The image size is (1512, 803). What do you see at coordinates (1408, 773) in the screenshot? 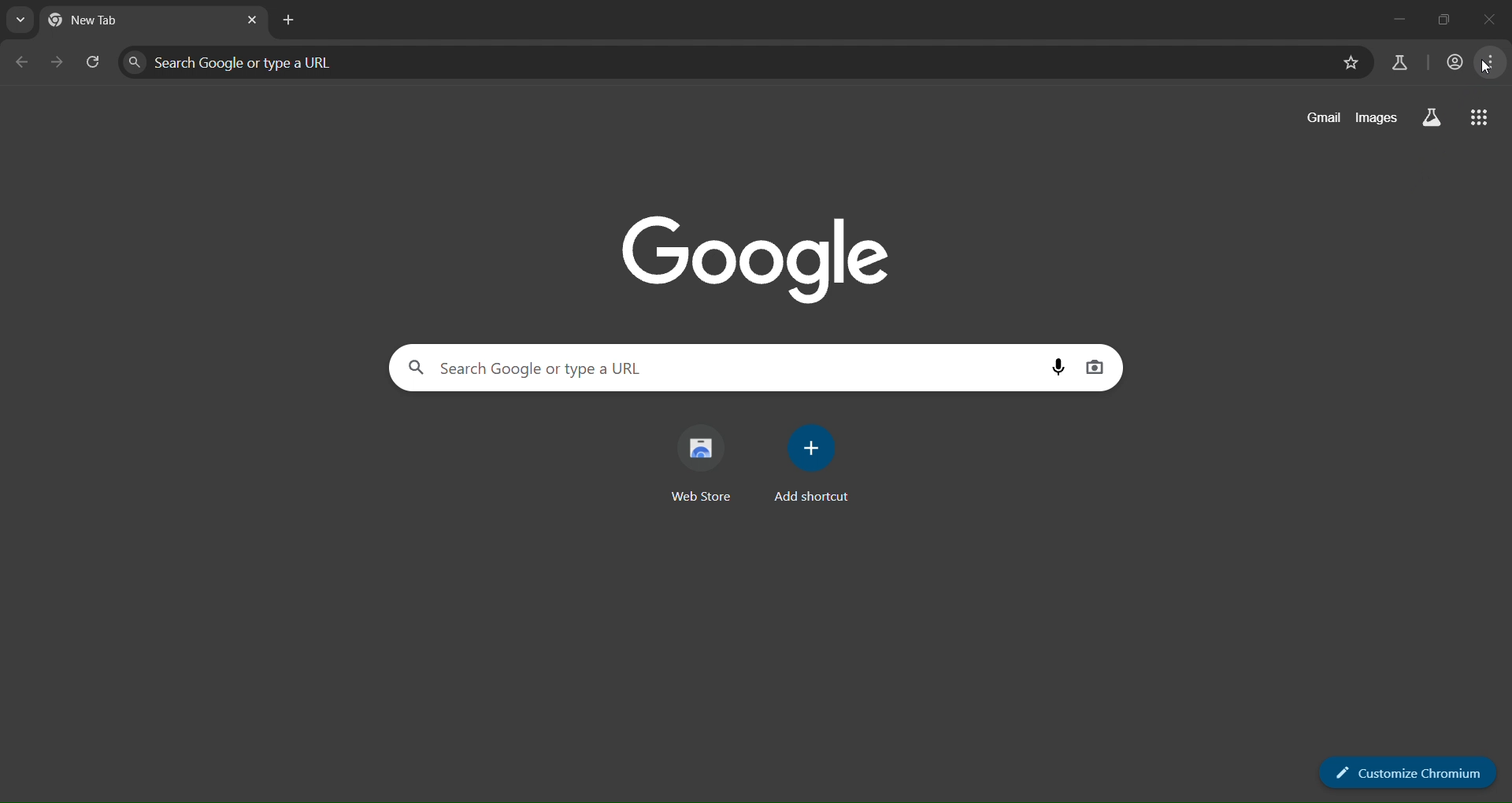
I see `customize chromium` at bounding box center [1408, 773].